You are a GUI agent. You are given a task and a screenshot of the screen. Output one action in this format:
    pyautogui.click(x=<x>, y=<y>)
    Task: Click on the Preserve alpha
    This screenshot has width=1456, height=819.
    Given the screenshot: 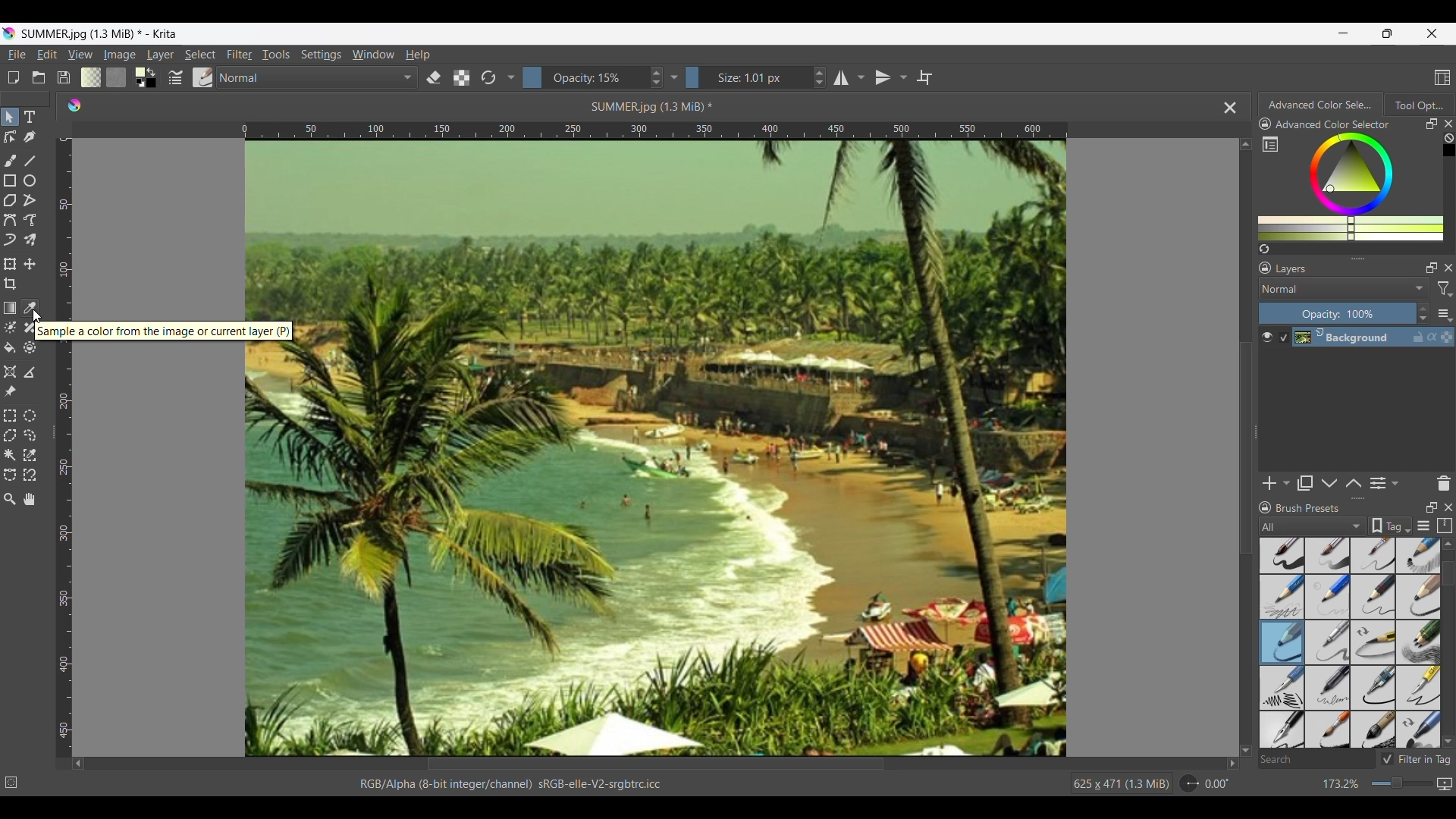 What is the action you would take?
    pyautogui.click(x=461, y=78)
    